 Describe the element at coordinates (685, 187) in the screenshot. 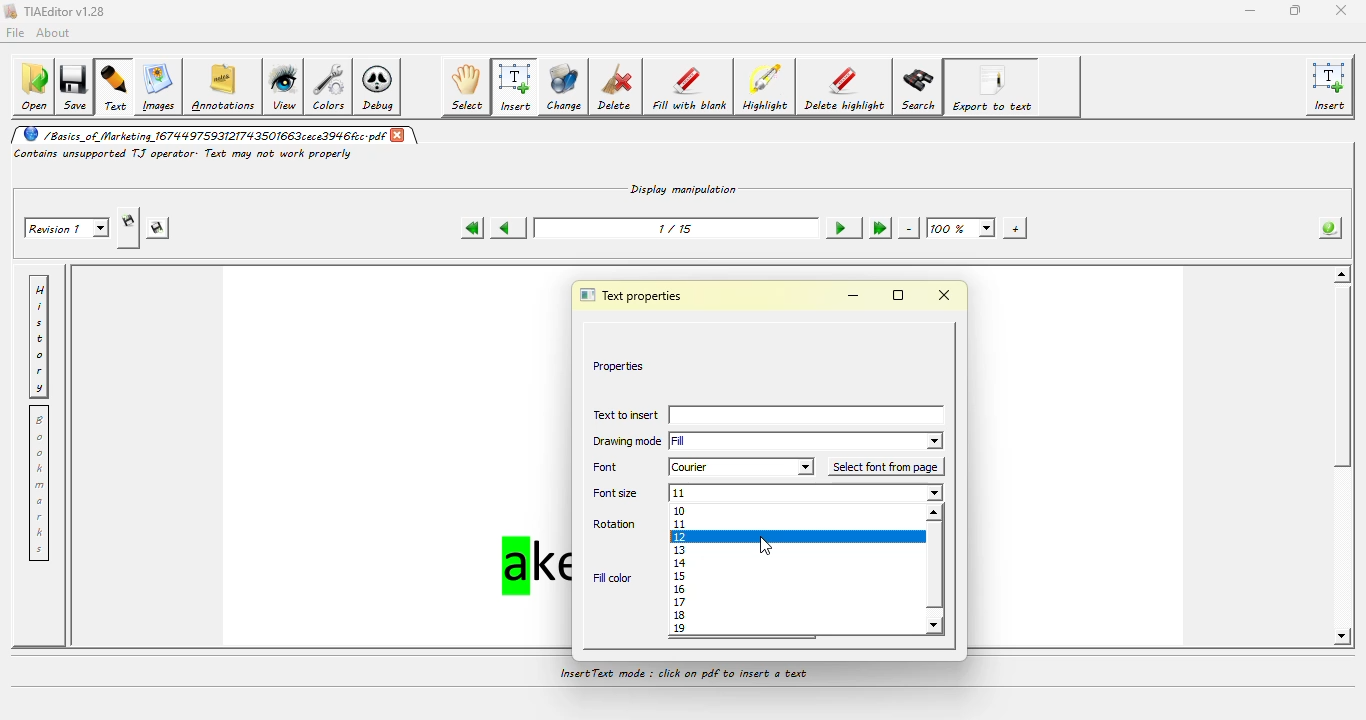

I see `Display manipulation` at that location.